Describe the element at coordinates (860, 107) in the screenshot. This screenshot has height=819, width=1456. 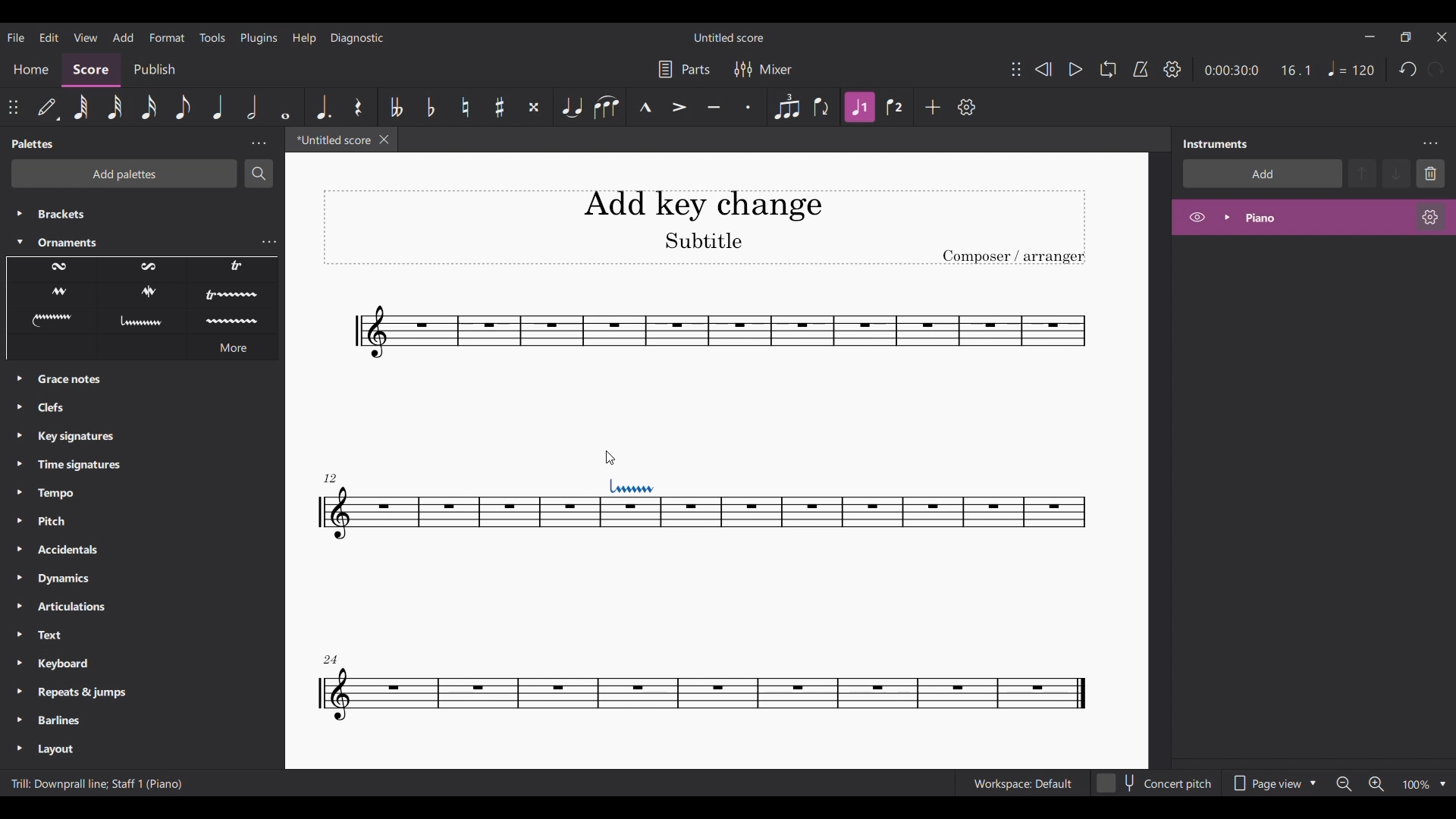
I see `Highlighted due to current selection` at that location.